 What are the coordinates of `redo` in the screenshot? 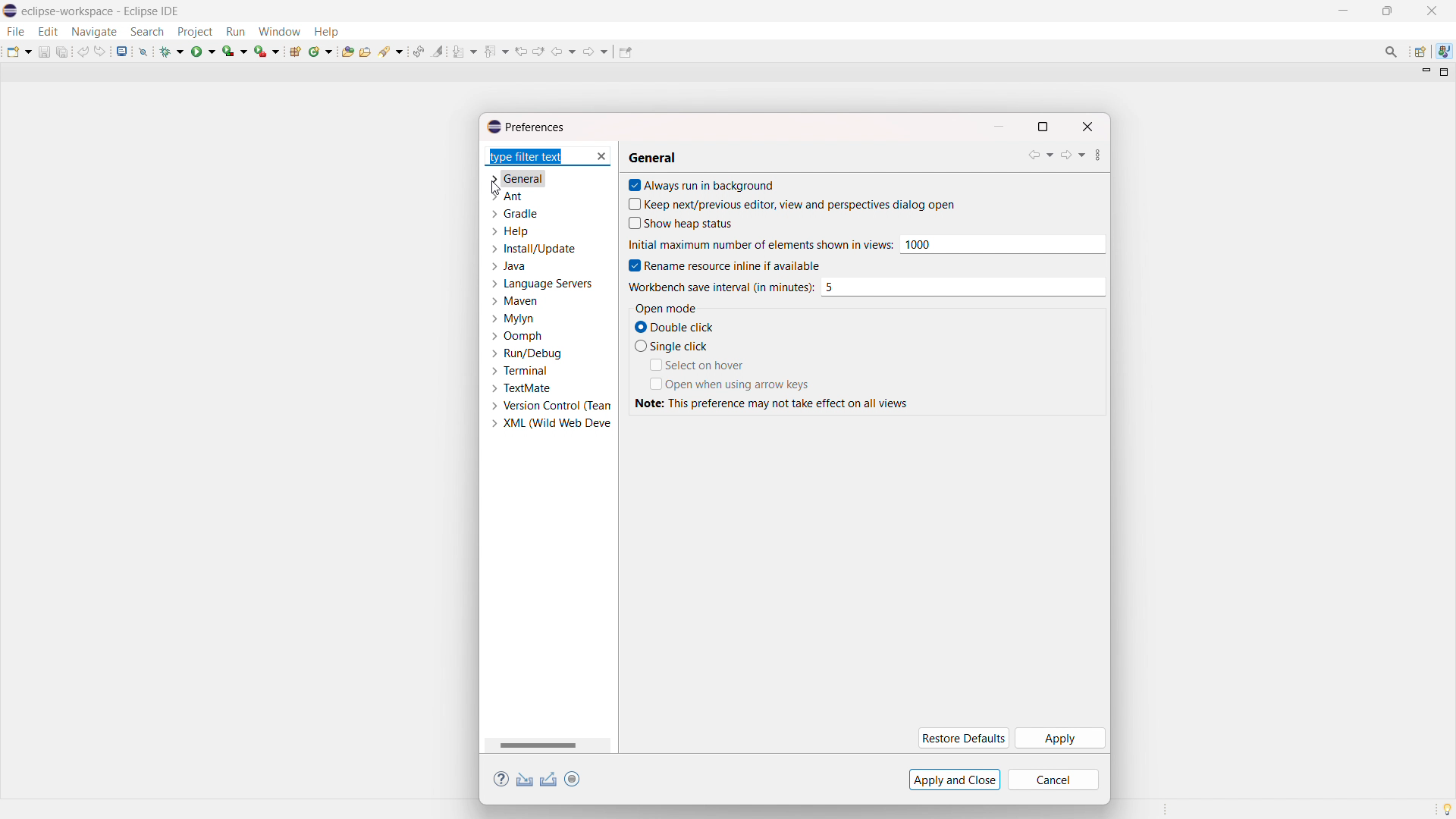 It's located at (100, 51).